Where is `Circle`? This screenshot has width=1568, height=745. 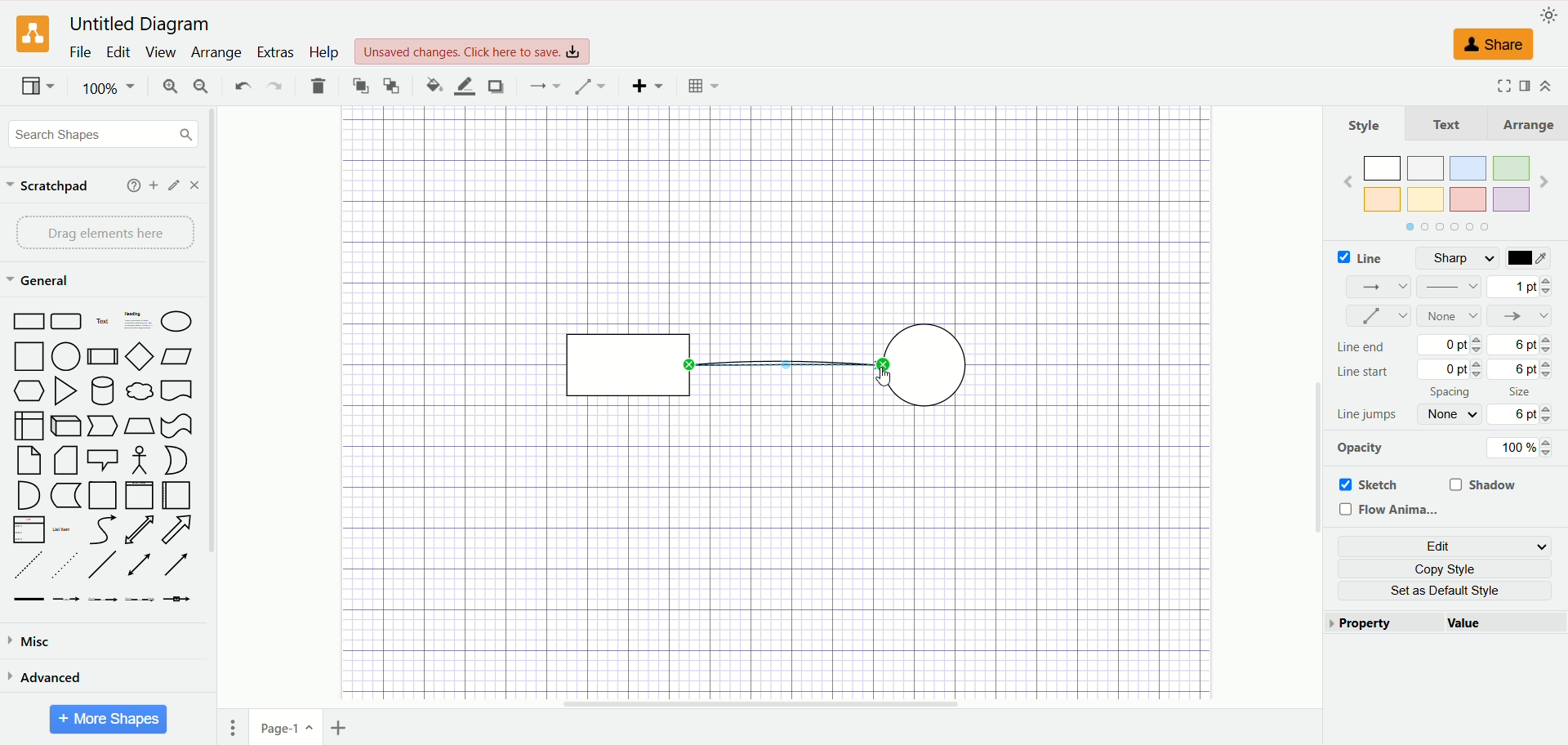
Circle is located at coordinates (69, 356).